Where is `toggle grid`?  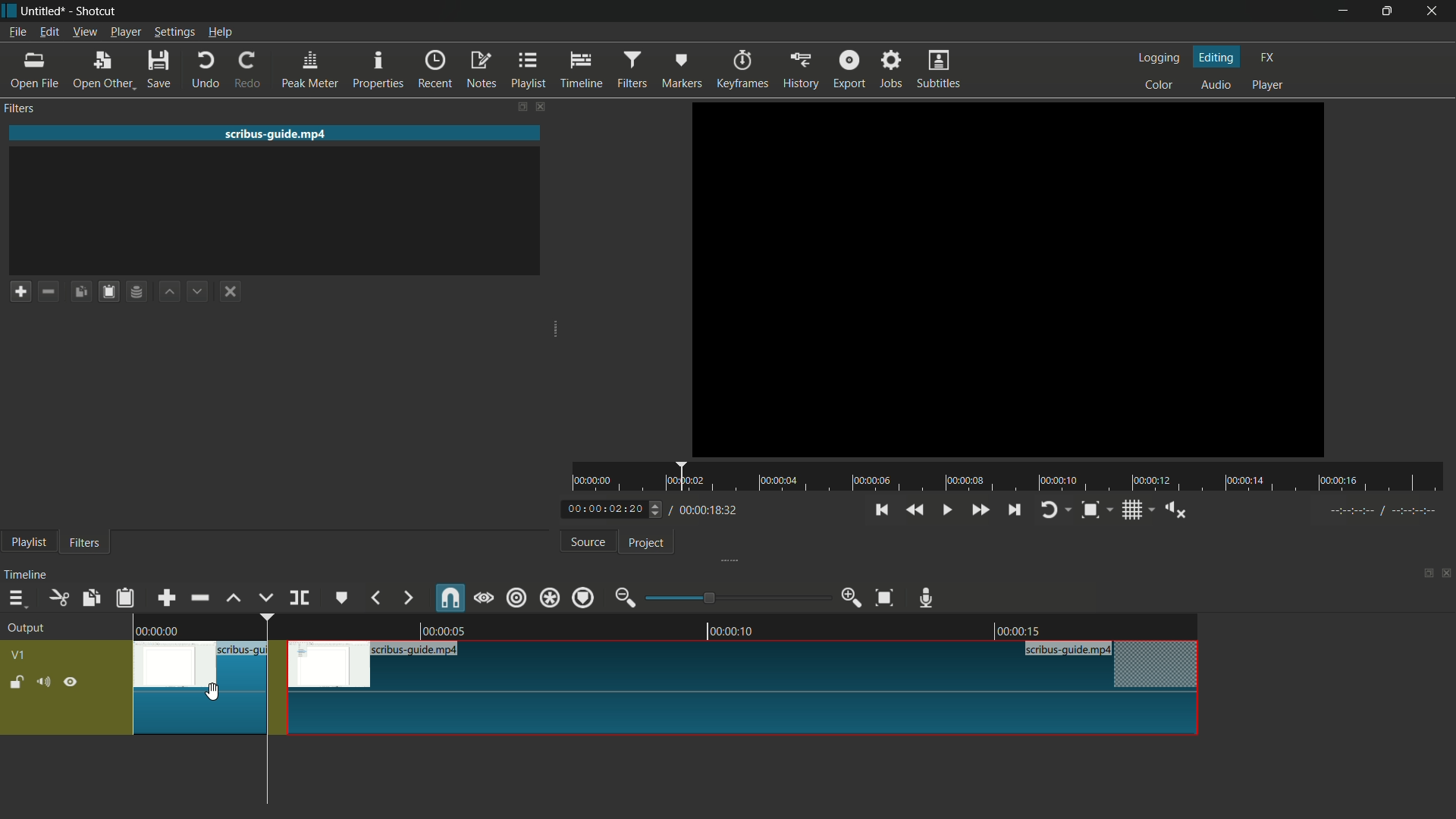 toggle grid is located at coordinates (1134, 510).